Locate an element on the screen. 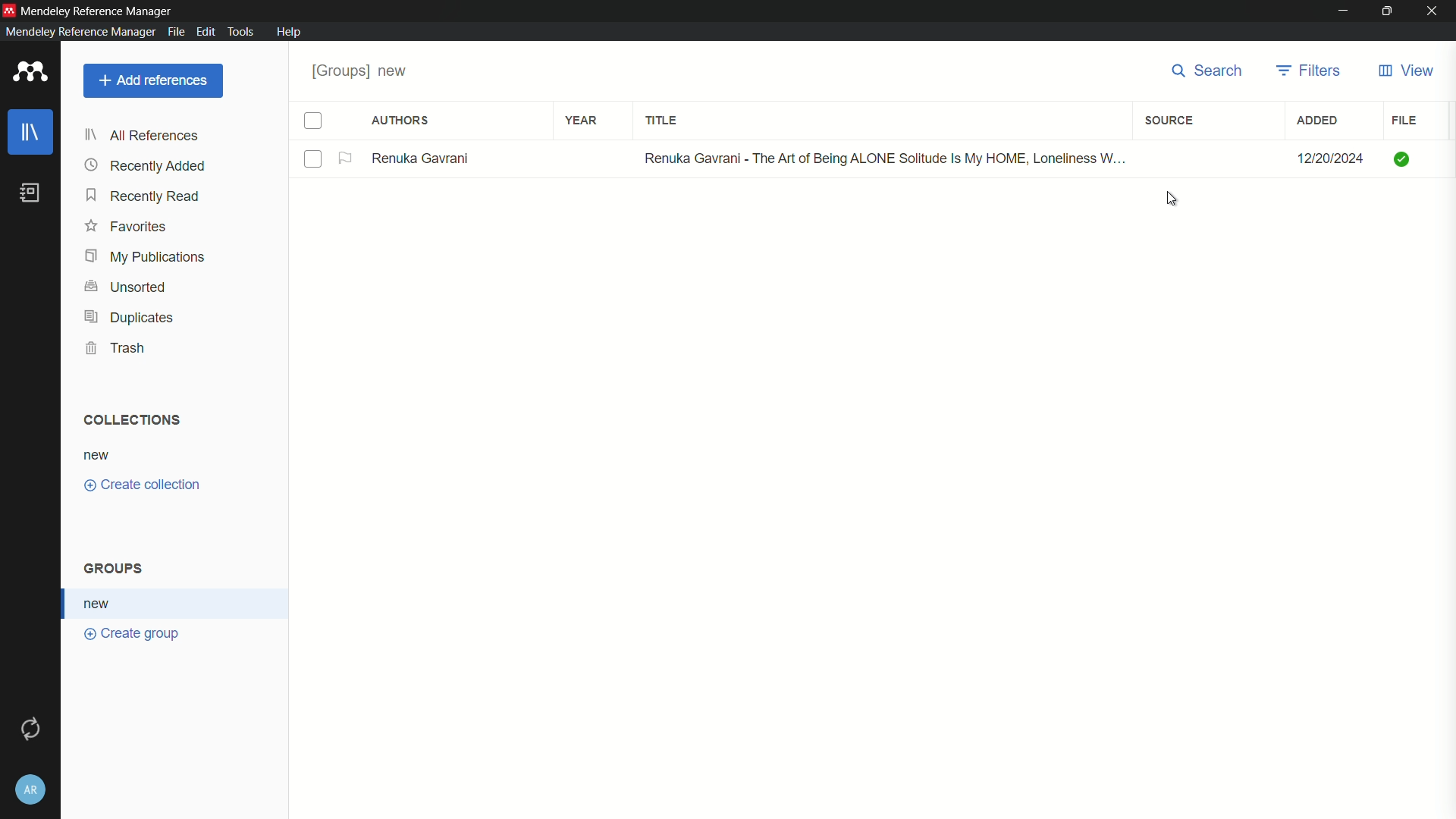  close app is located at coordinates (1435, 11).